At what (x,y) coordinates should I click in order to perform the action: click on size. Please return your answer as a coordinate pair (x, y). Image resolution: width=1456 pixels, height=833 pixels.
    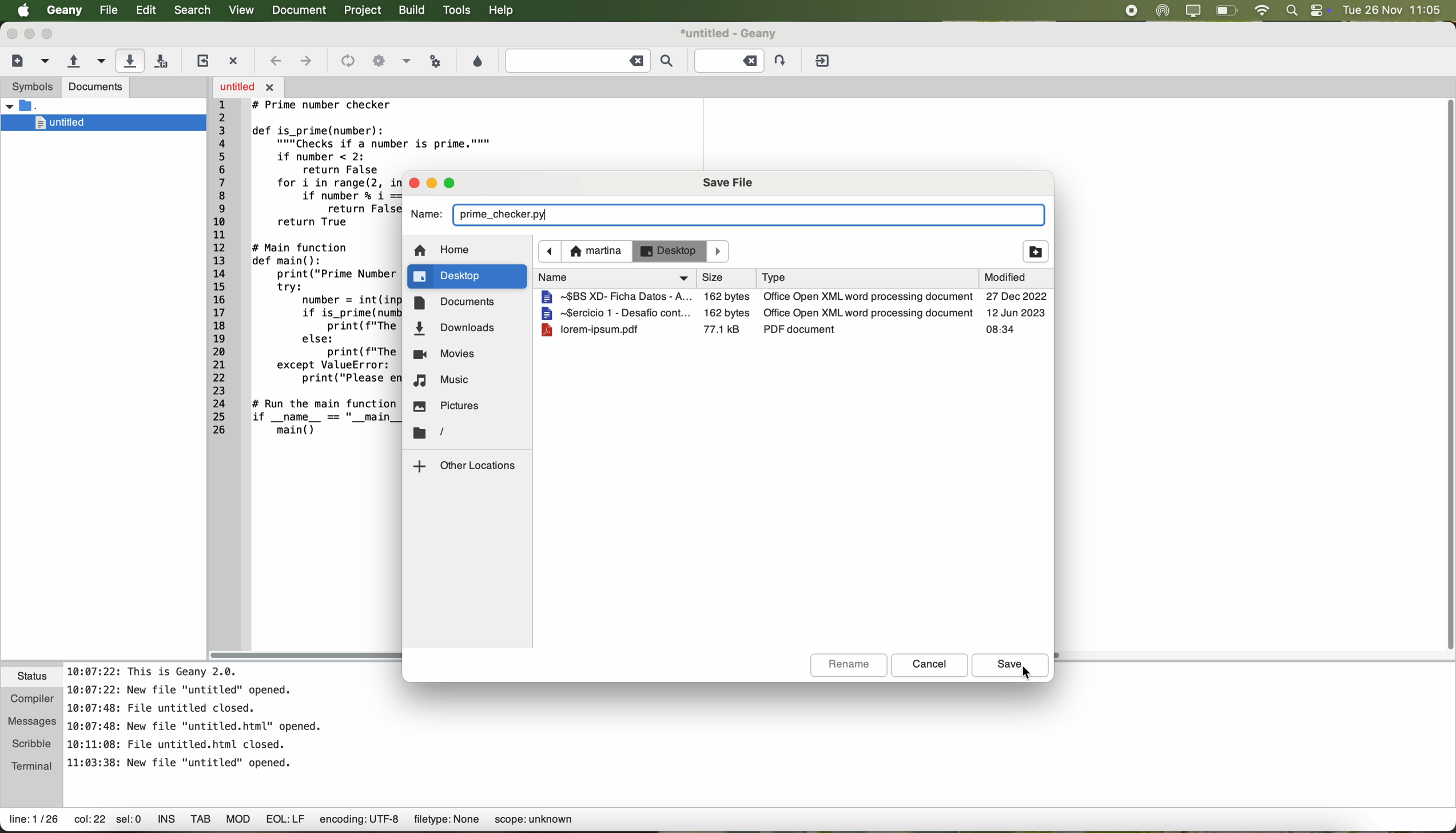
    Looking at the image, I should click on (936, 277).